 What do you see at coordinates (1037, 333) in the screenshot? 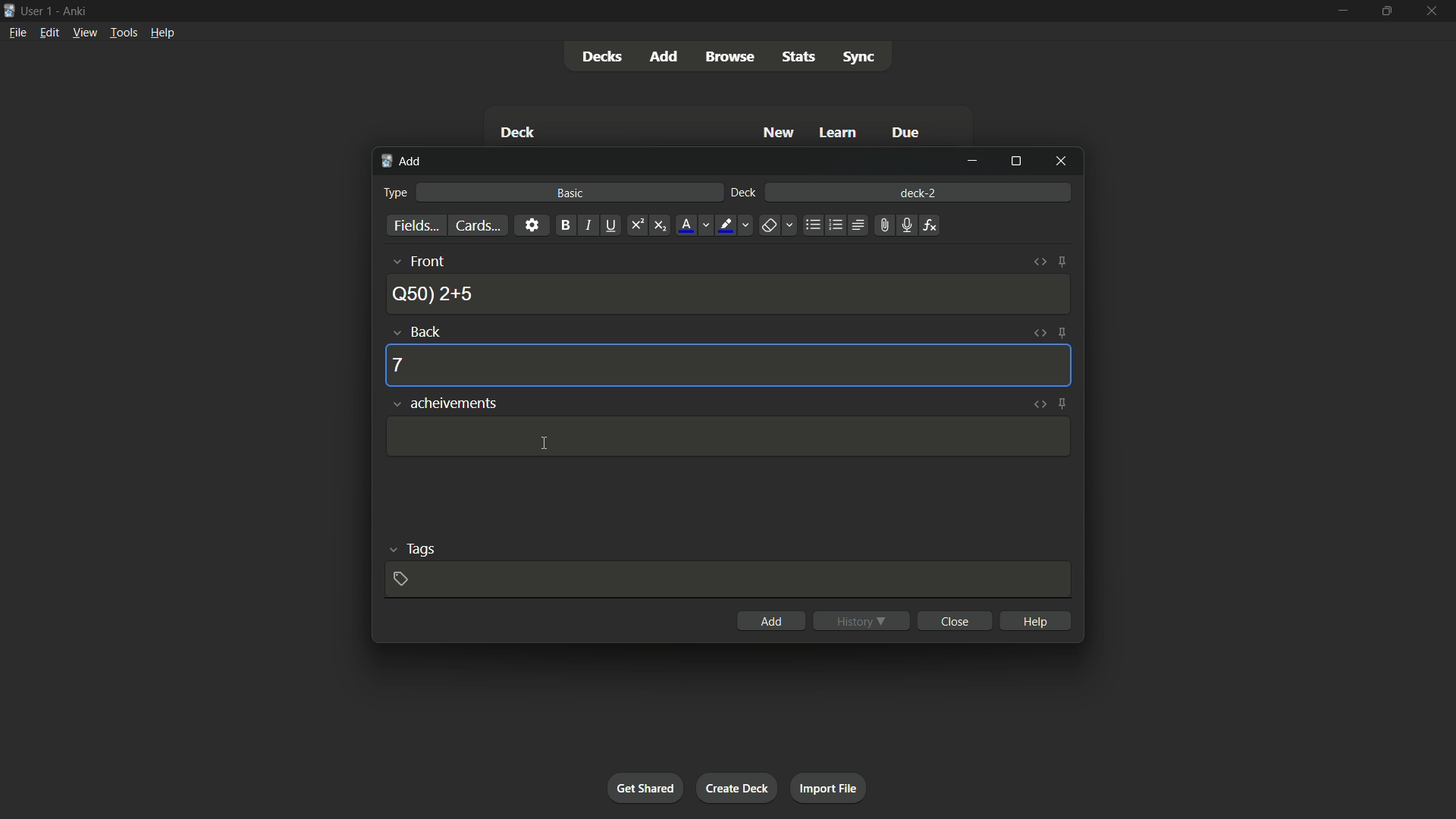
I see `toggle html editor` at bounding box center [1037, 333].